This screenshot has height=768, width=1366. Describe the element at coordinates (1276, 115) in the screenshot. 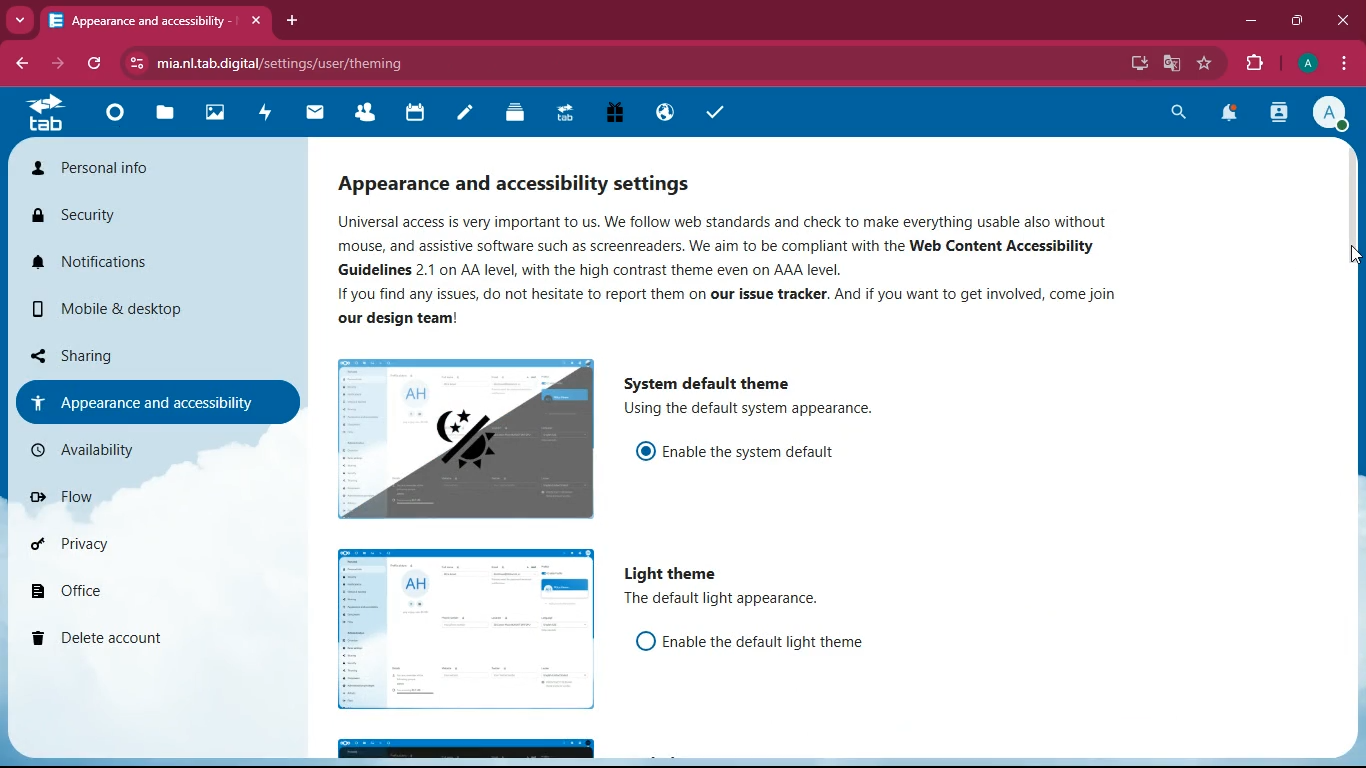

I see `activity` at that location.